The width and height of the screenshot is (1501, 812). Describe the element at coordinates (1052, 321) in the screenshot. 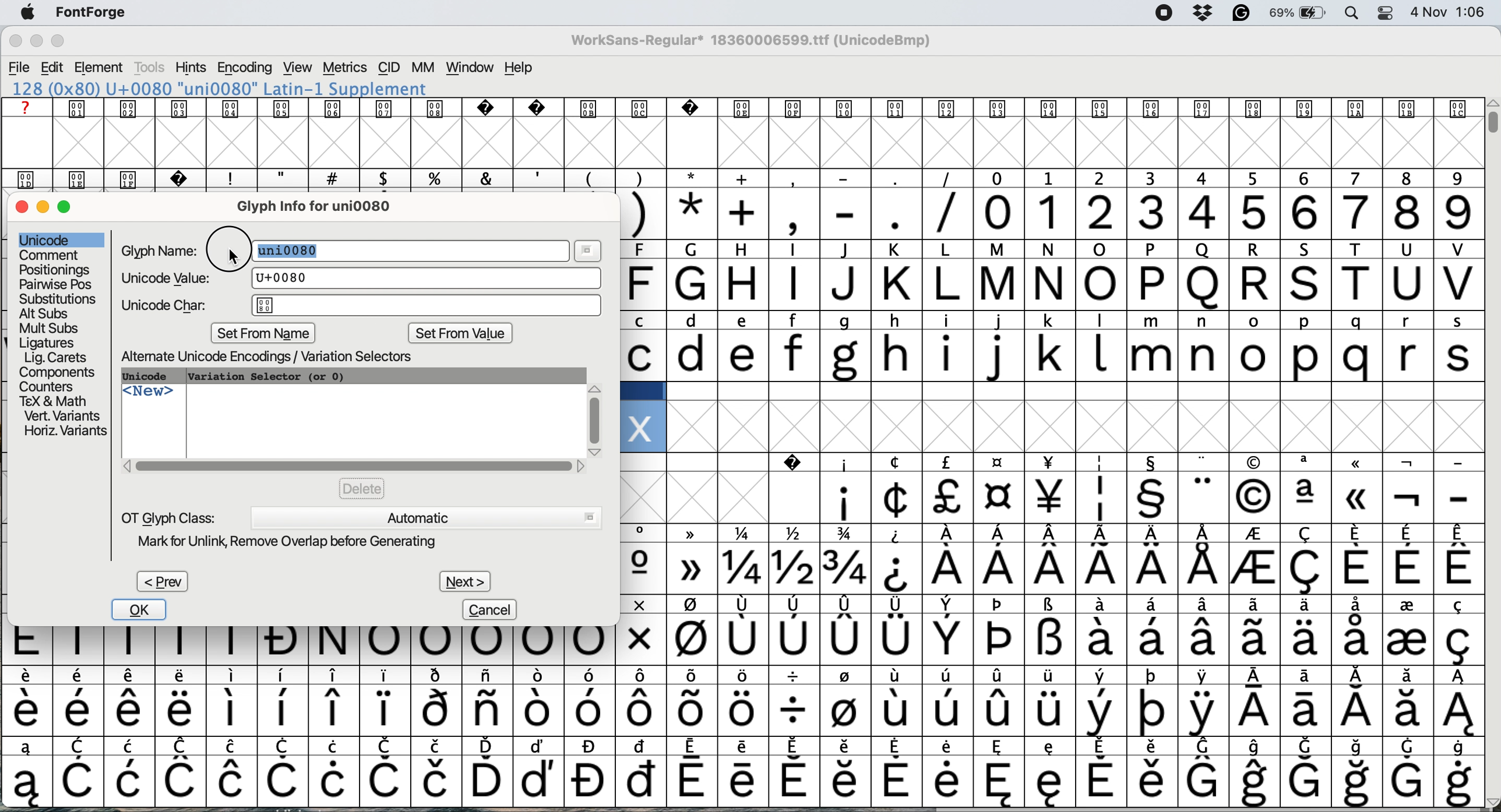

I see `lower case and upper case text and special characters` at that location.